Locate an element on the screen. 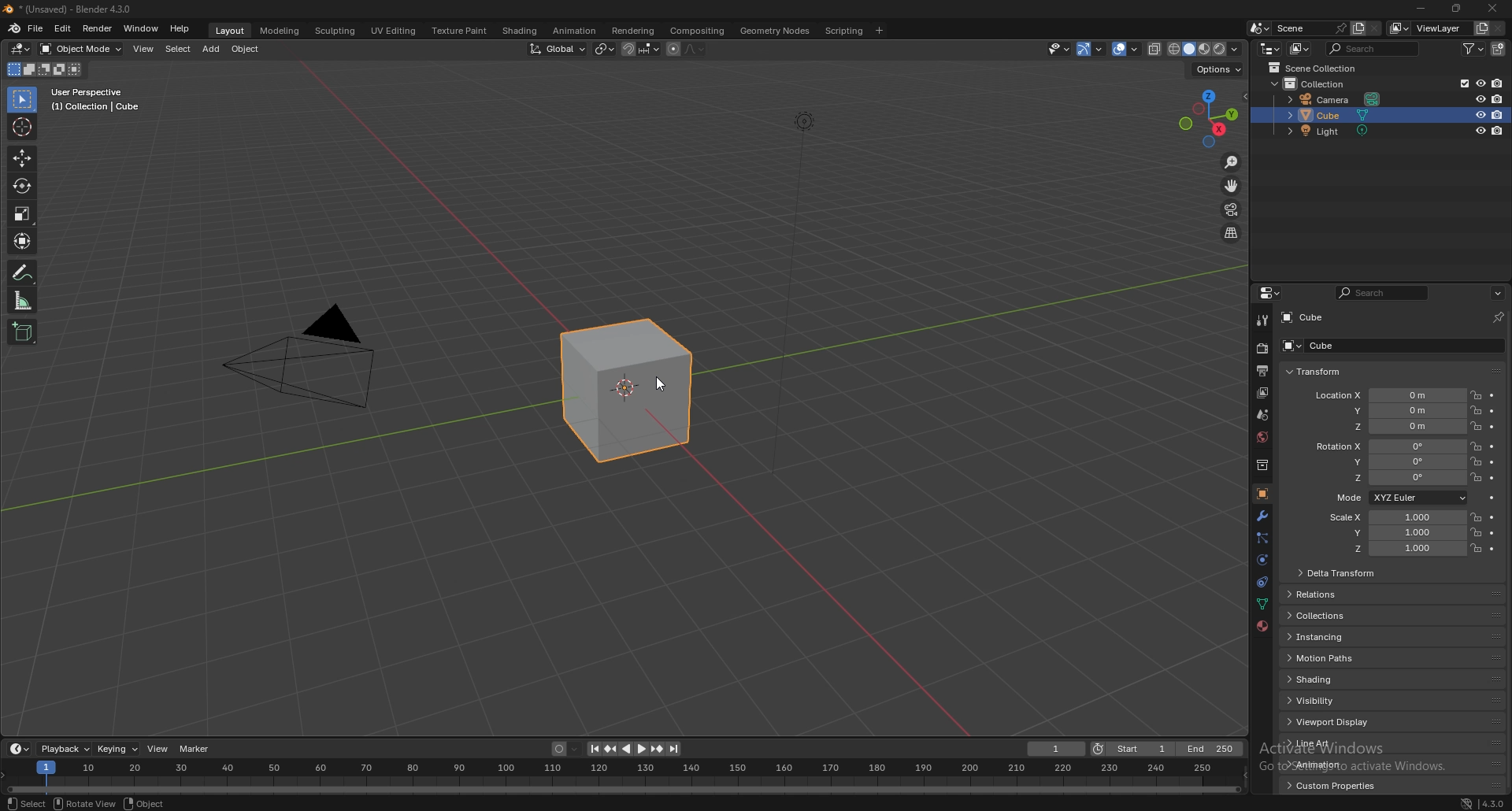 The width and height of the screenshot is (1512, 811). rotation x is located at coordinates (1386, 447).